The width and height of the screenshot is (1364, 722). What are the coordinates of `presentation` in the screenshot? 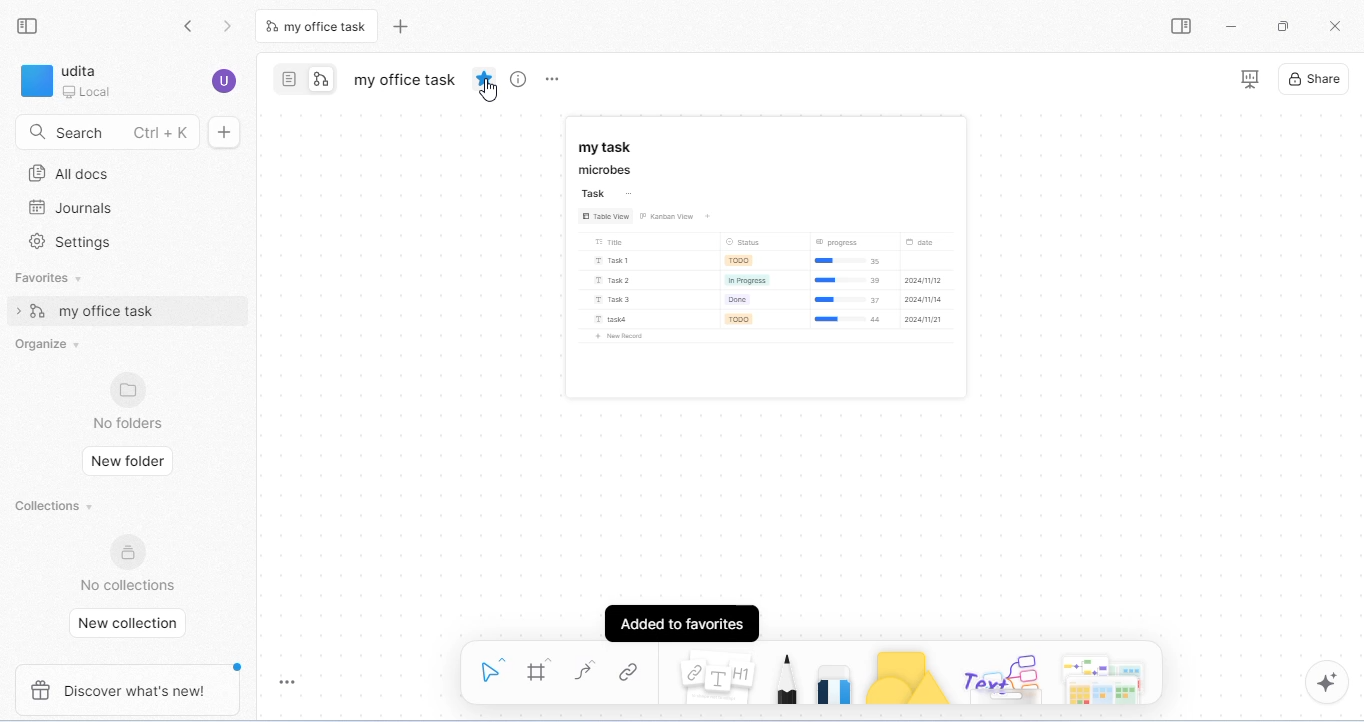 It's located at (1249, 81).